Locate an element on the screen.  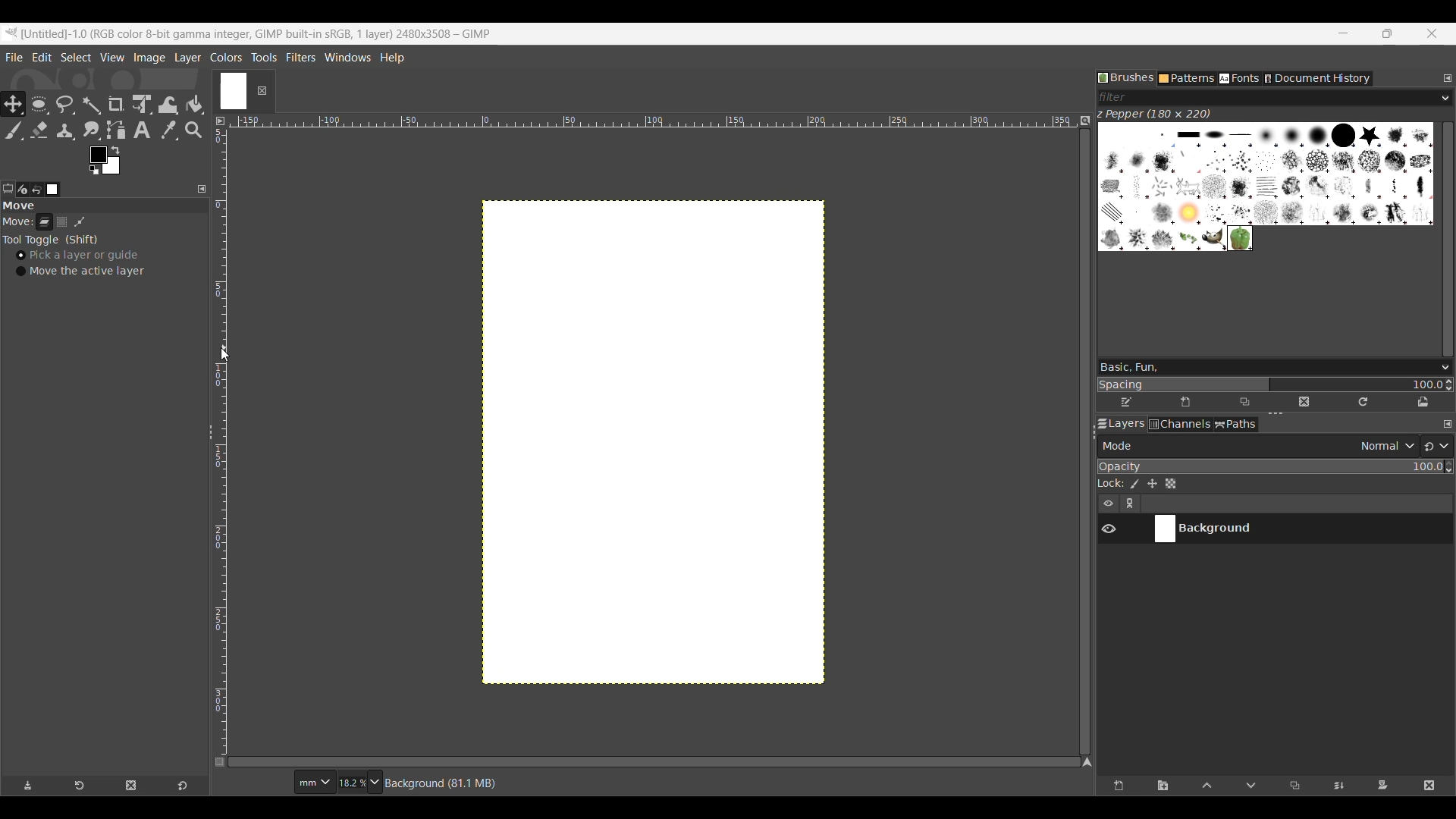
Project name, details and software name is located at coordinates (260, 33).